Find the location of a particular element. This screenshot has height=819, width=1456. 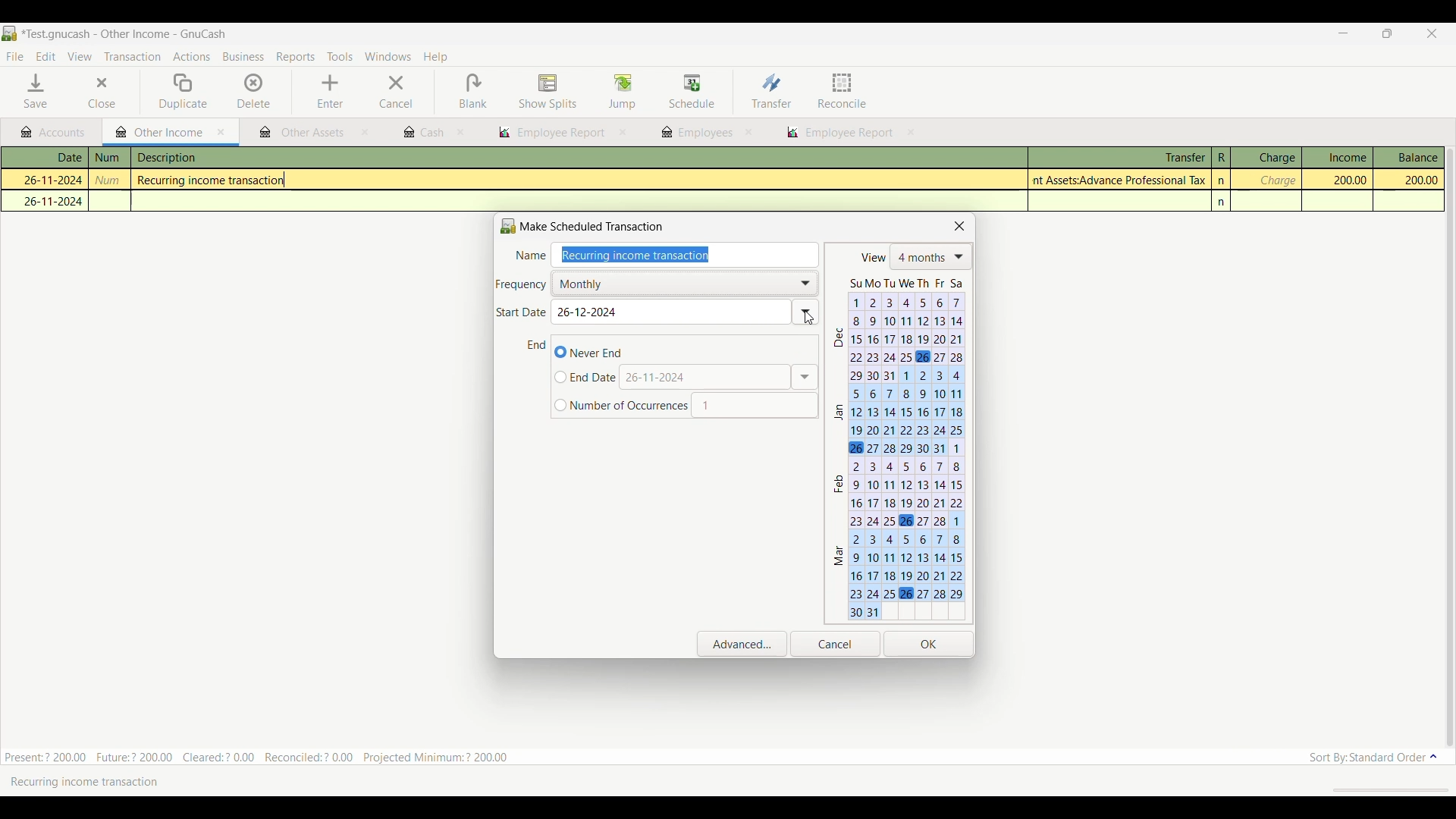

Cancel is located at coordinates (396, 92).